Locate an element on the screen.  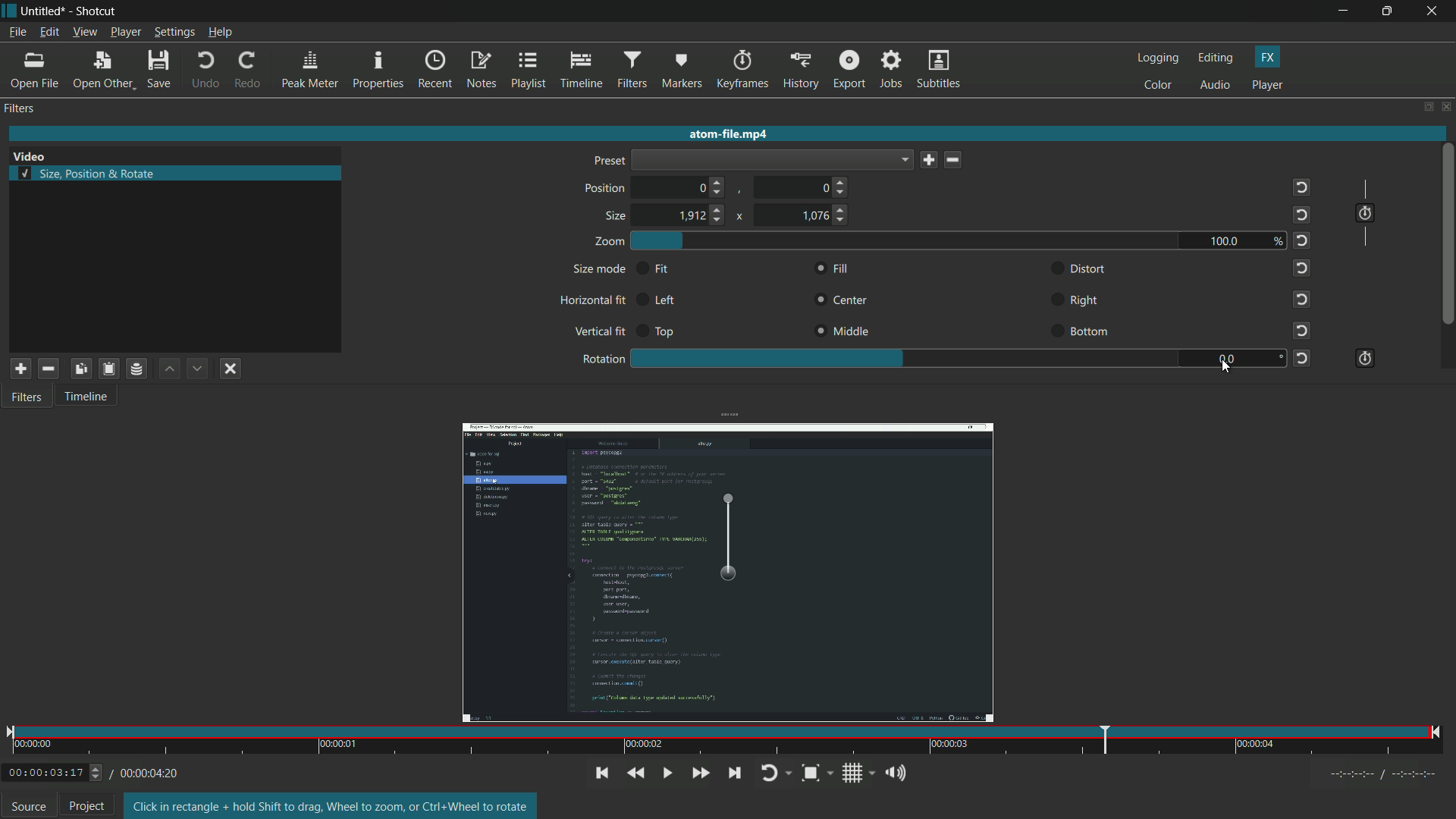
view menu is located at coordinates (84, 33).